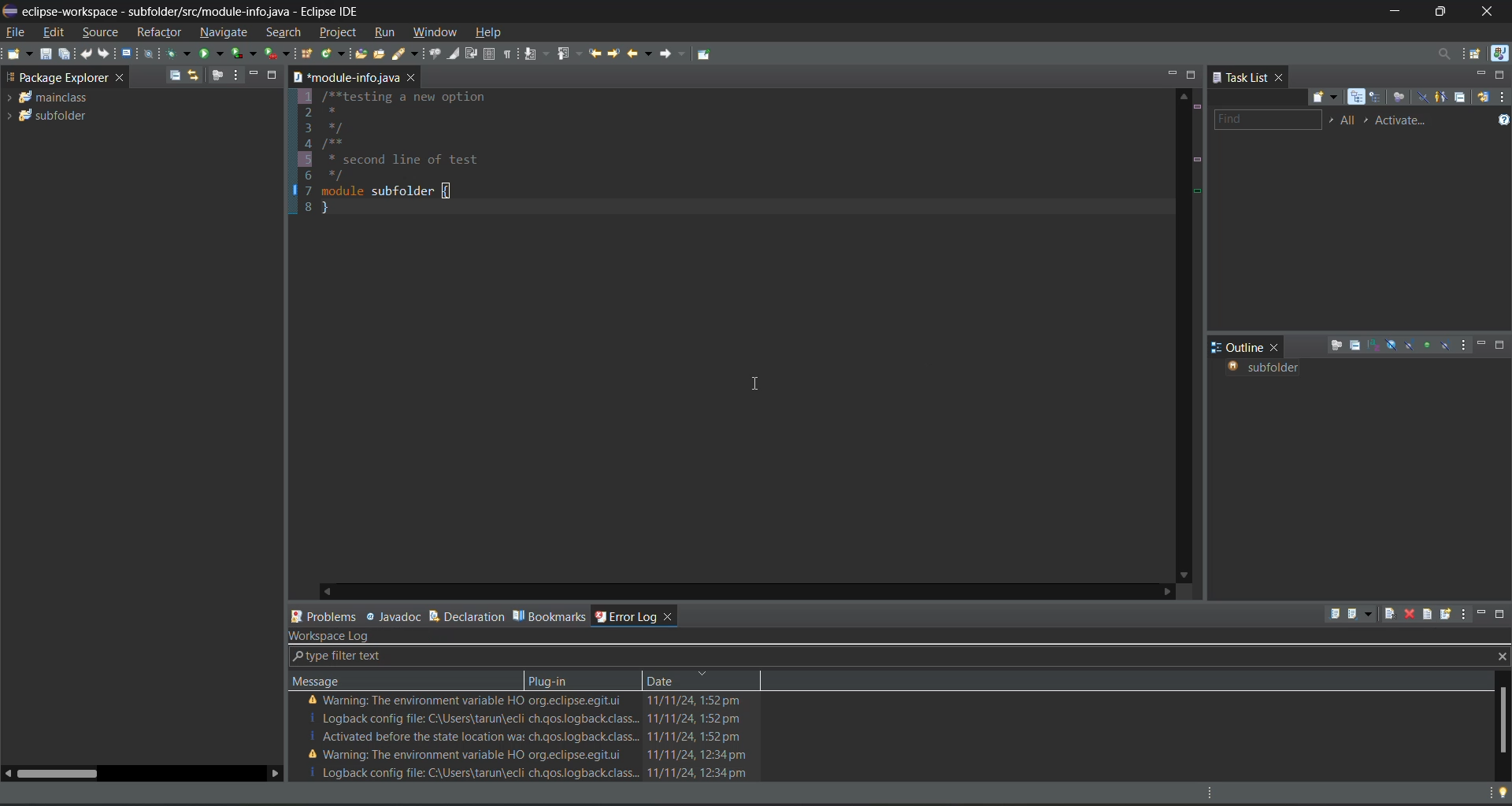 The height and width of the screenshot is (806, 1512). What do you see at coordinates (176, 74) in the screenshot?
I see `collapse all` at bounding box center [176, 74].